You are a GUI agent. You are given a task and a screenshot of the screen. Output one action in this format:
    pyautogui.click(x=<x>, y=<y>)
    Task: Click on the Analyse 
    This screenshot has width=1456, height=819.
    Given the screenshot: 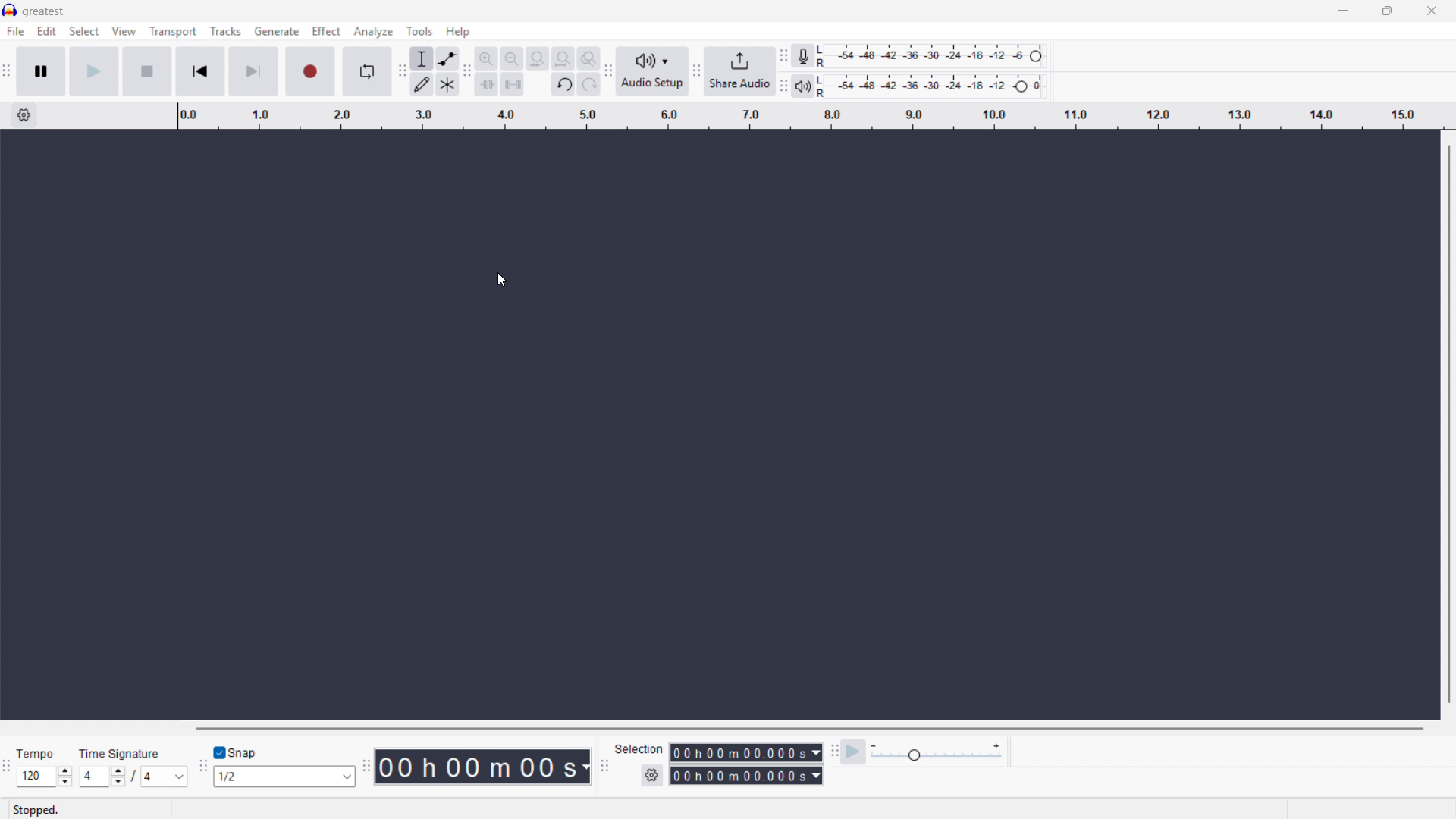 What is the action you would take?
    pyautogui.click(x=375, y=32)
    